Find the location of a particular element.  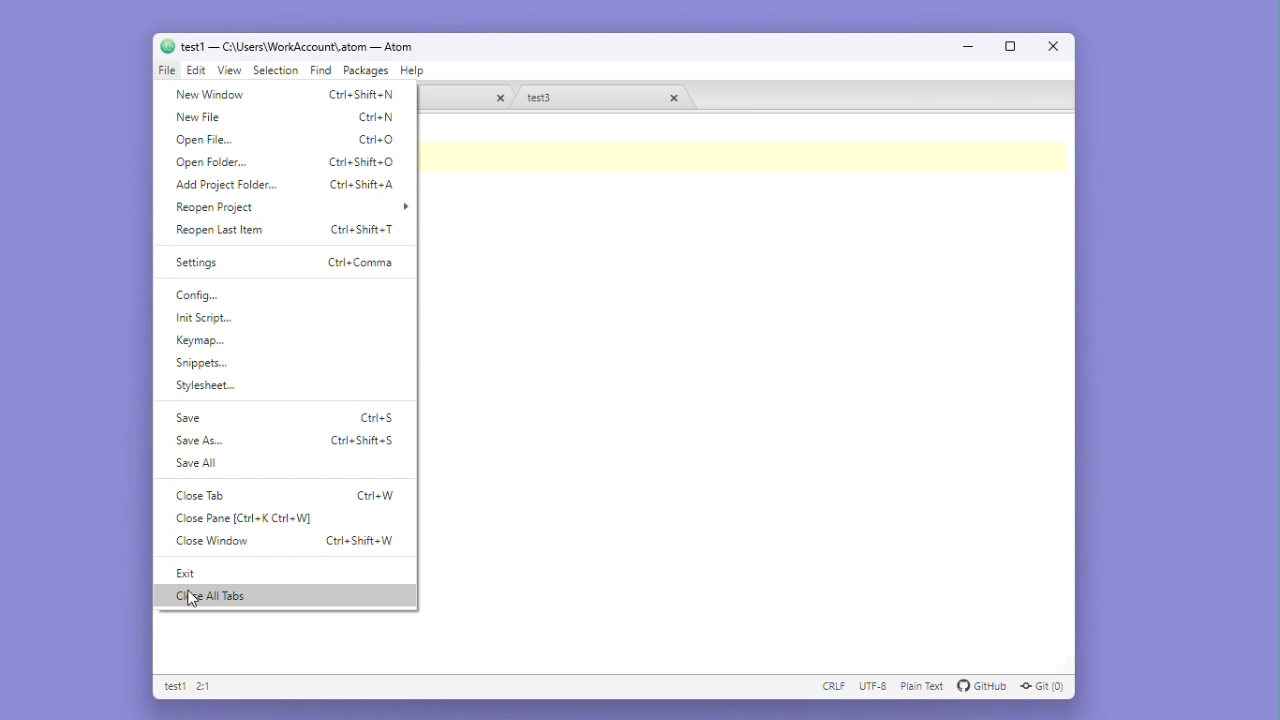

Key map is located at coordinates (205, 340).